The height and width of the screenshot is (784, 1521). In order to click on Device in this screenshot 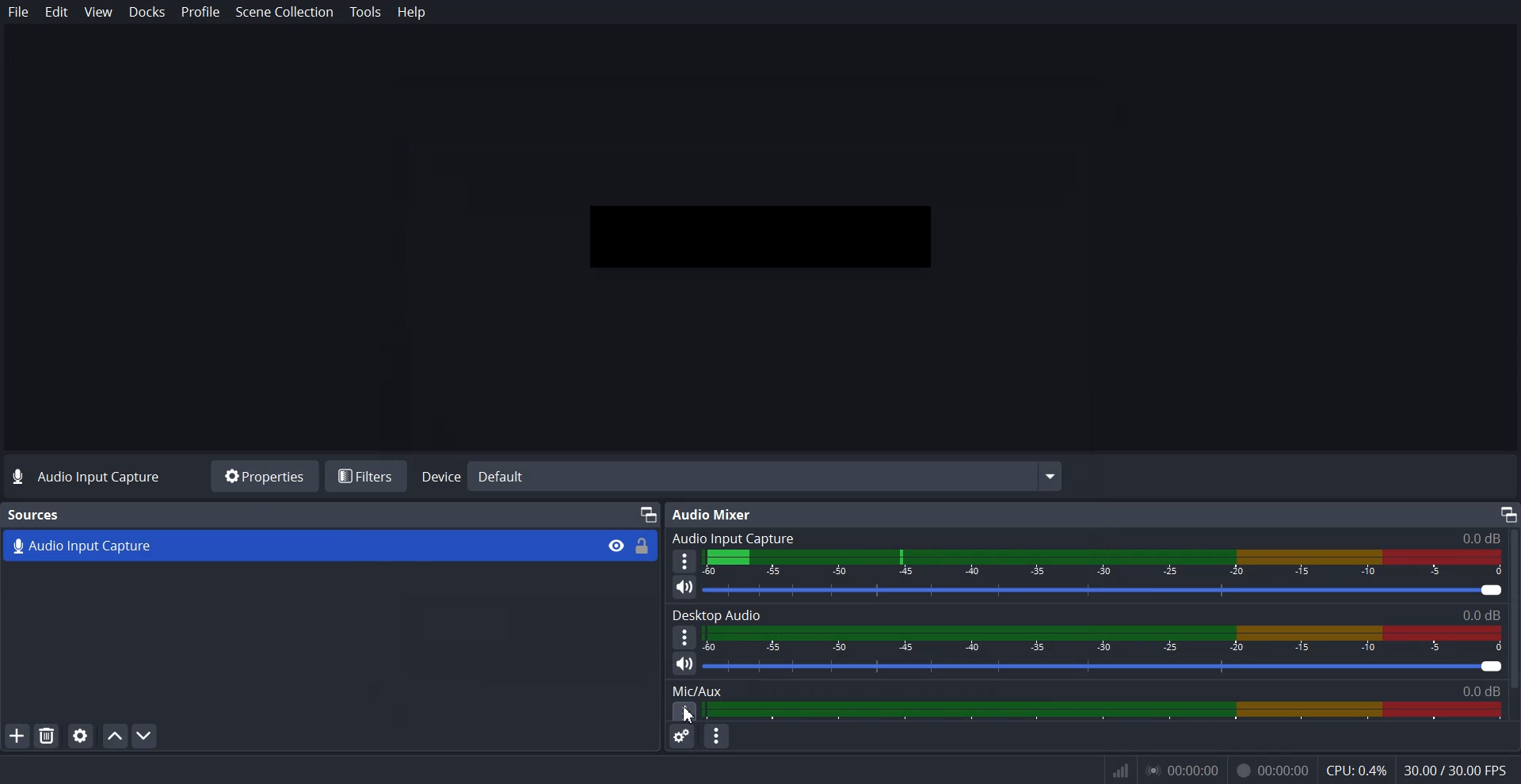, I will do `click(649, 515)`.